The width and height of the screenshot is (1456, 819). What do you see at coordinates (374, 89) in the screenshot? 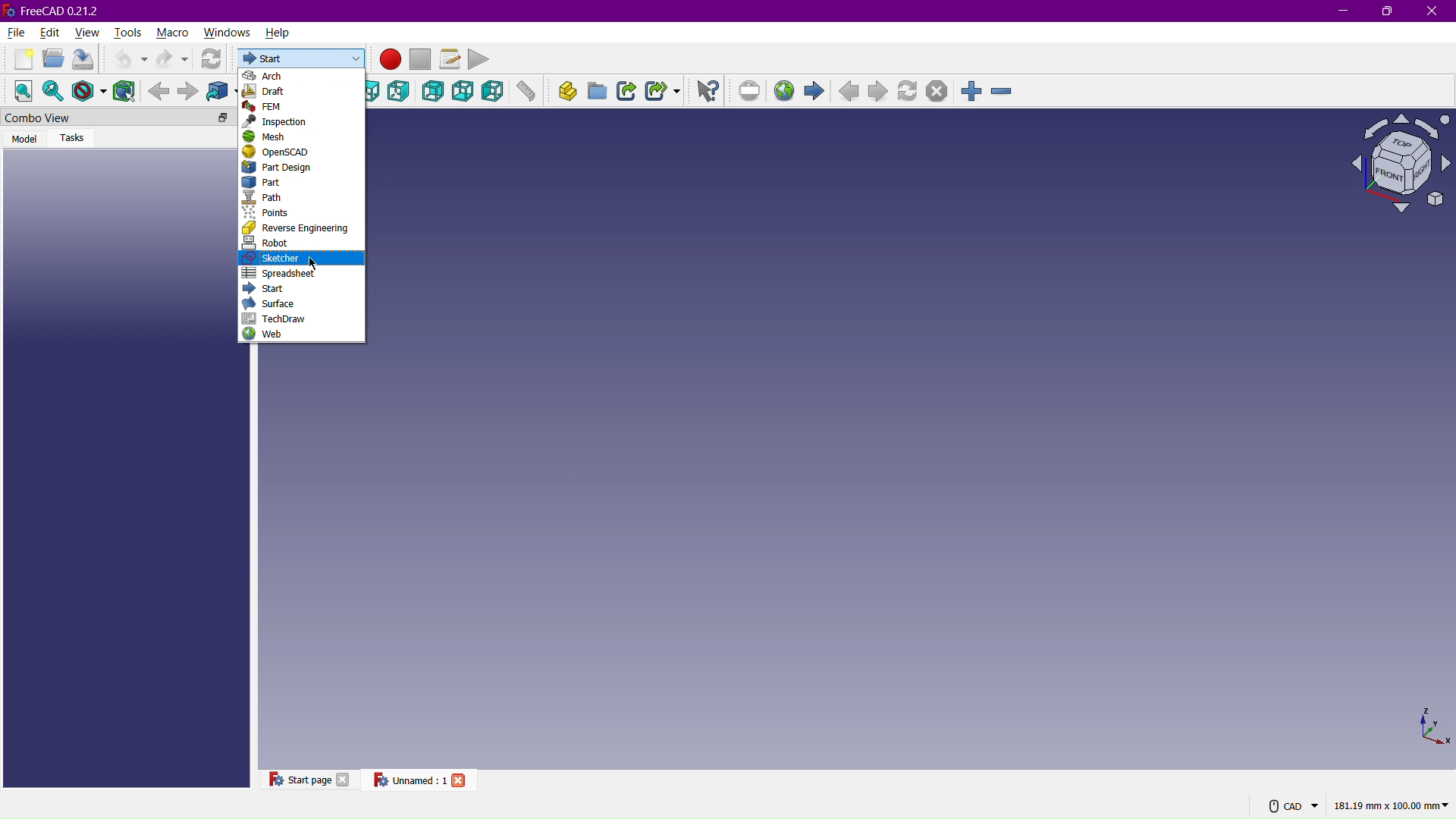
I see `Top` at bounding box center [374, 89].